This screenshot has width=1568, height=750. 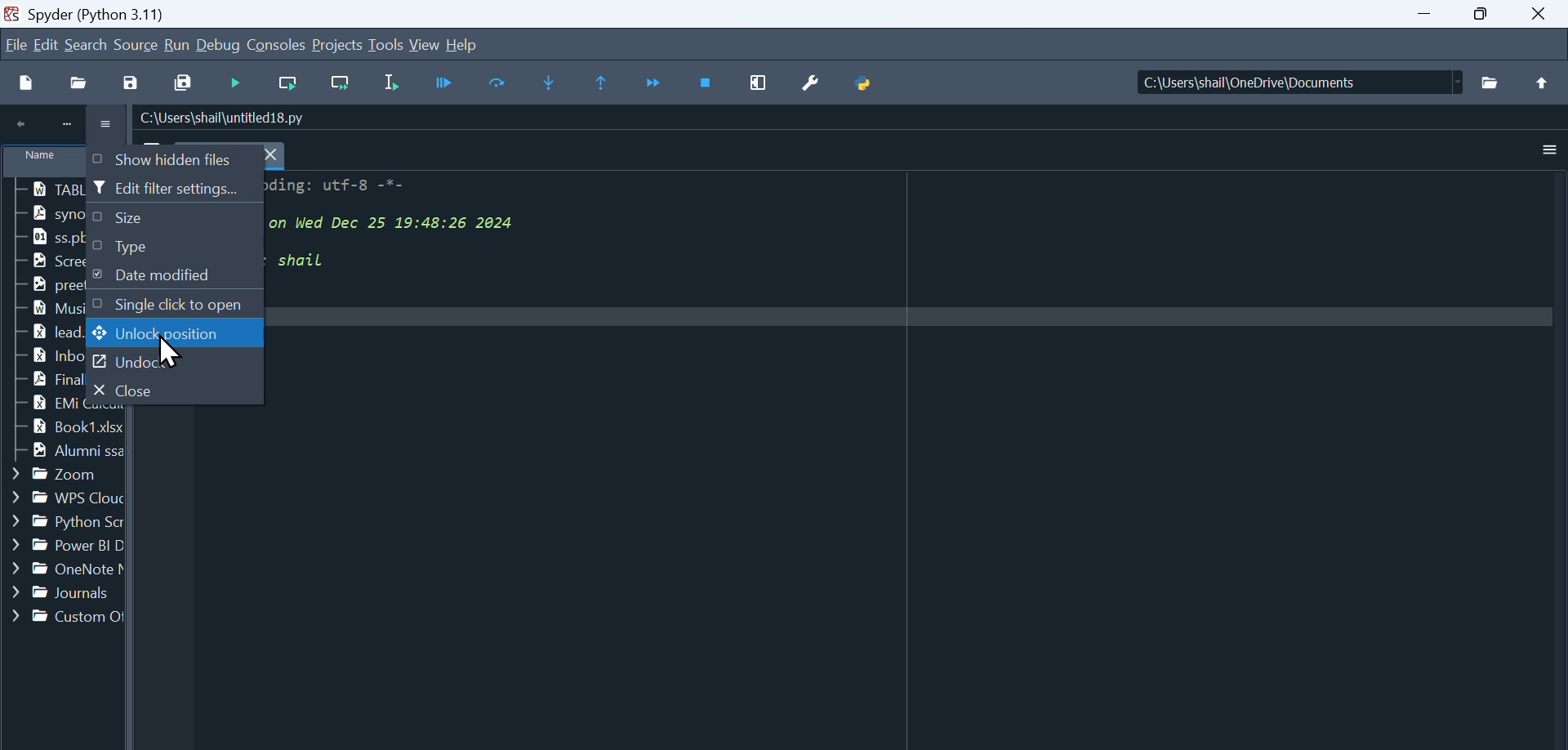 I want to click on C:\users\shail\untitled18.py, so click(x=223, y=118).